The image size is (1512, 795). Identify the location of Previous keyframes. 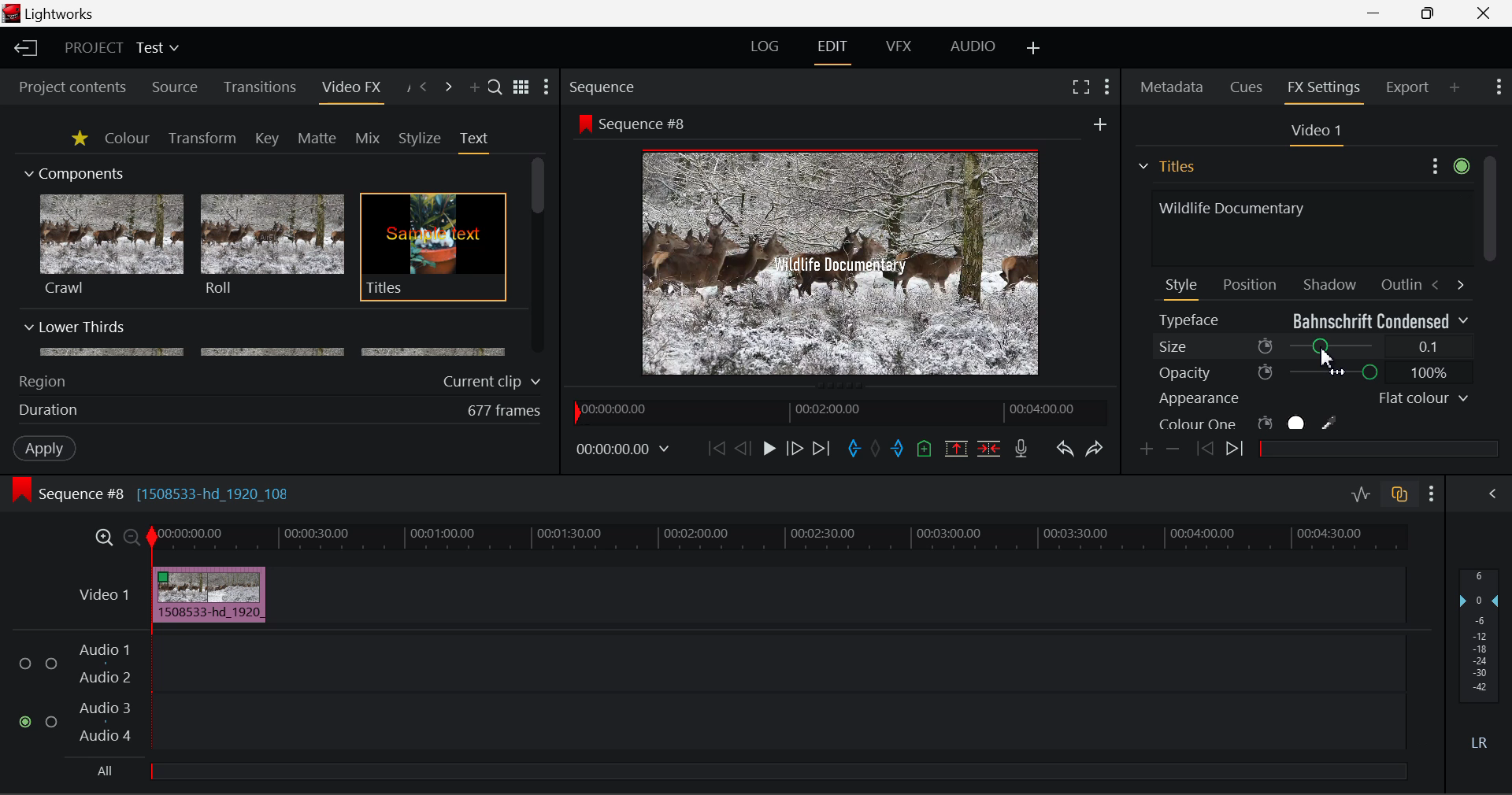
(1203, 449).